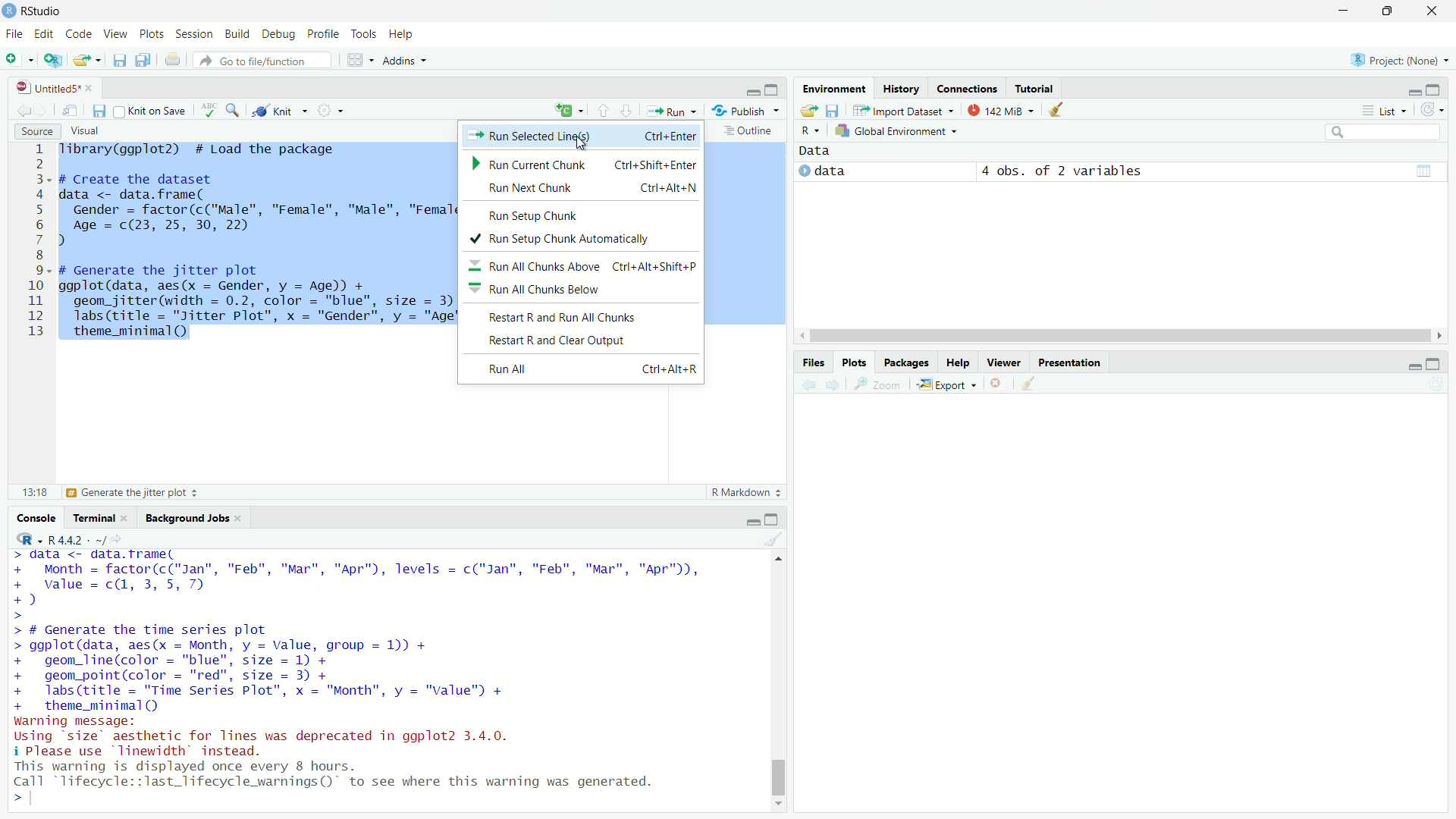 The height and width of the screenshot is (819, 1456). What do you see at coordinates (88, 132) in the screenshot?
I see `visual` at bounding box center [88, 132].